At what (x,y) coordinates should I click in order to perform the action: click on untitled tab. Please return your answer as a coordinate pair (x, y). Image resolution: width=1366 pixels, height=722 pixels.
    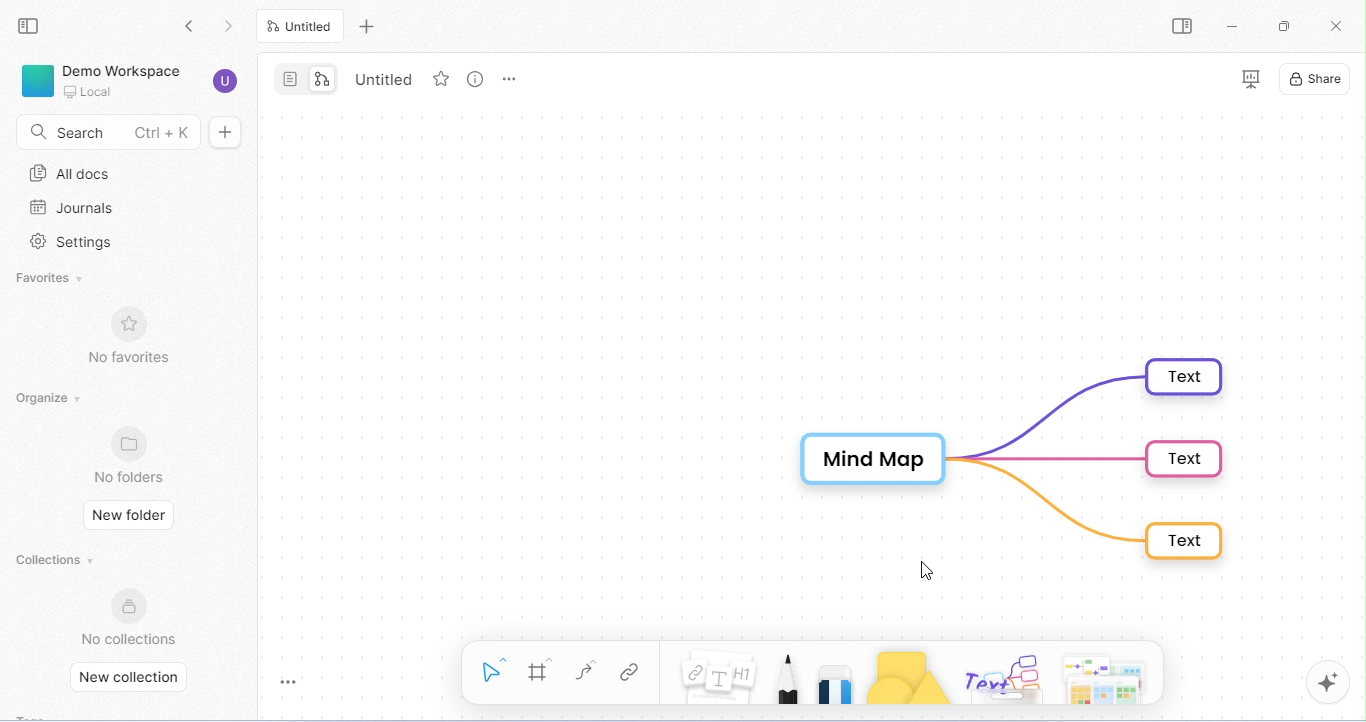
    Looking at the image, I should click on (303, 26).